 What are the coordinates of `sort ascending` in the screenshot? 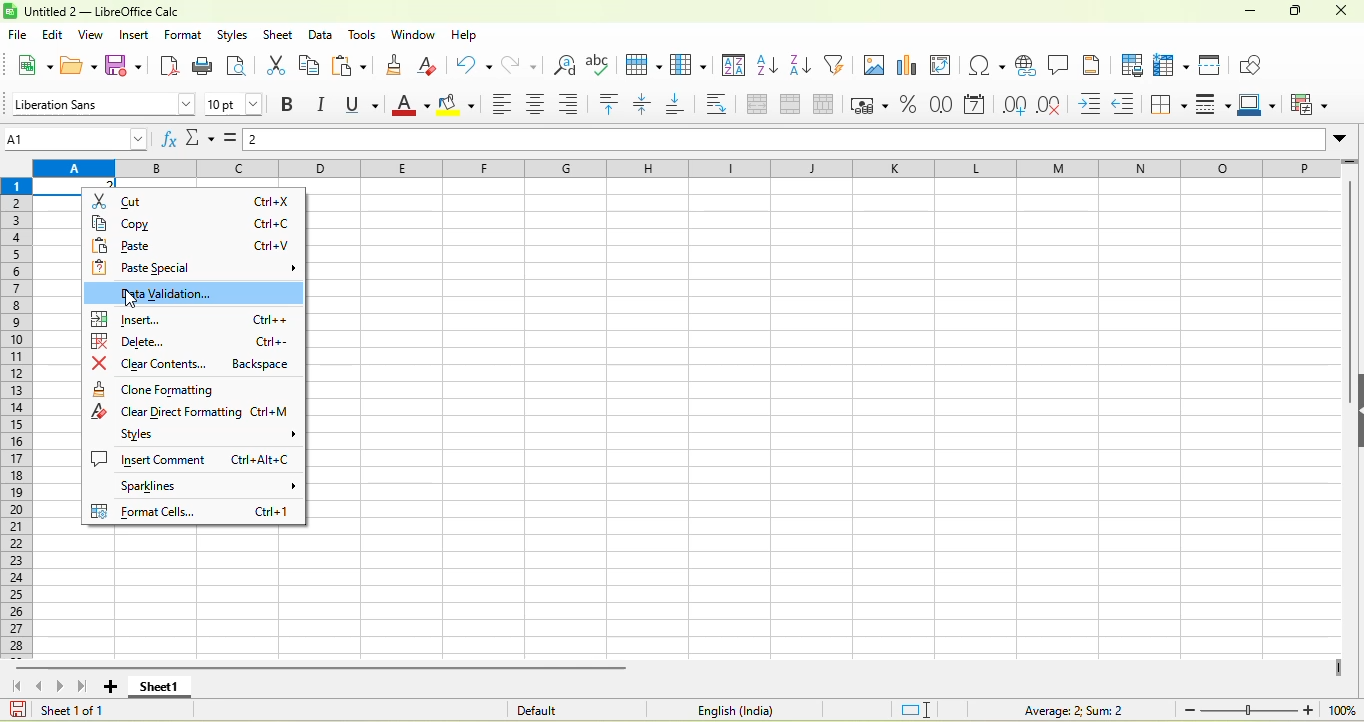 It's located at (771, 67).